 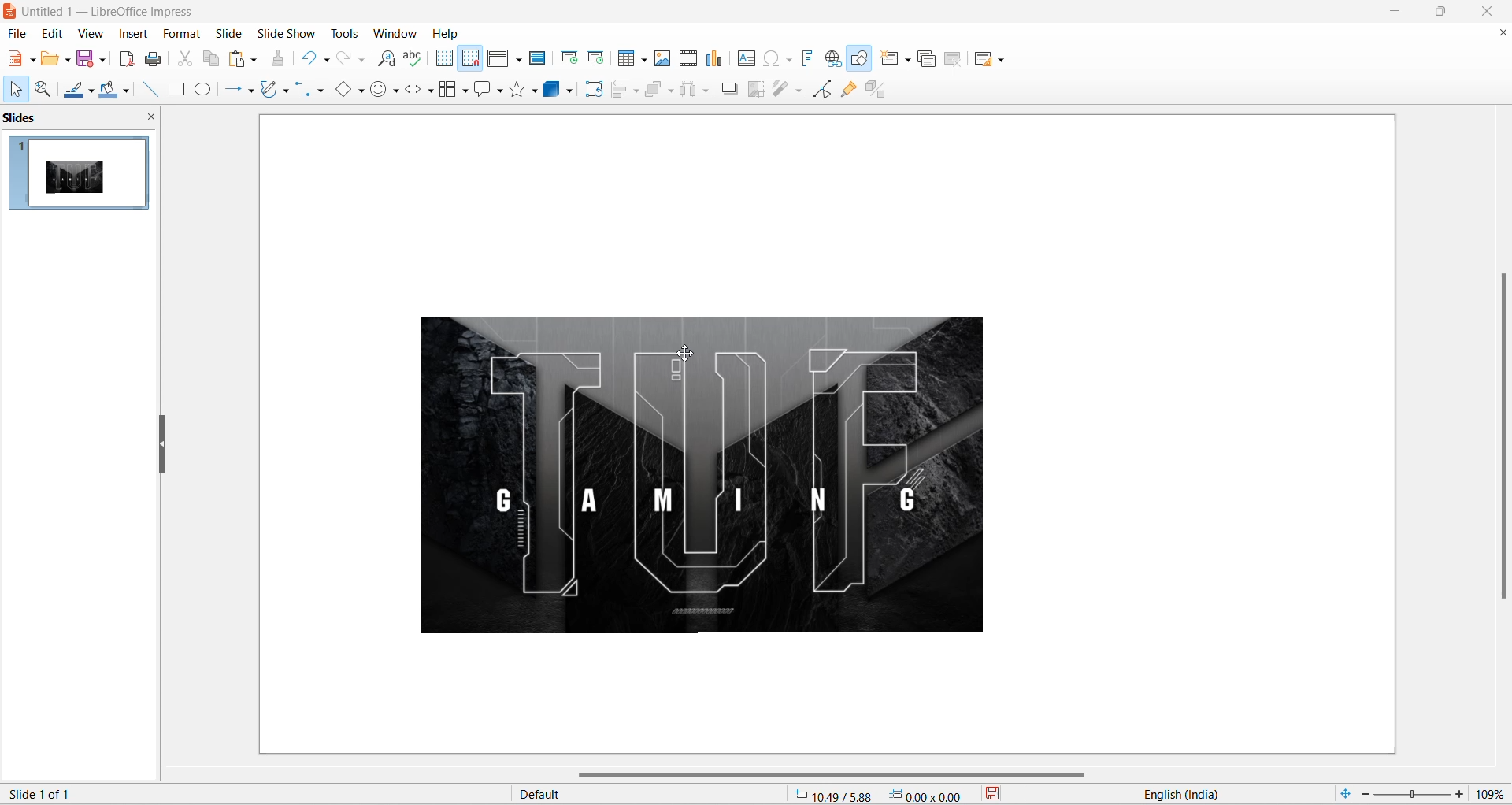 What do you see at coordinates (286, 92) in the screenshot?
I see `curve and polygons` at bounding box center [286, 92].